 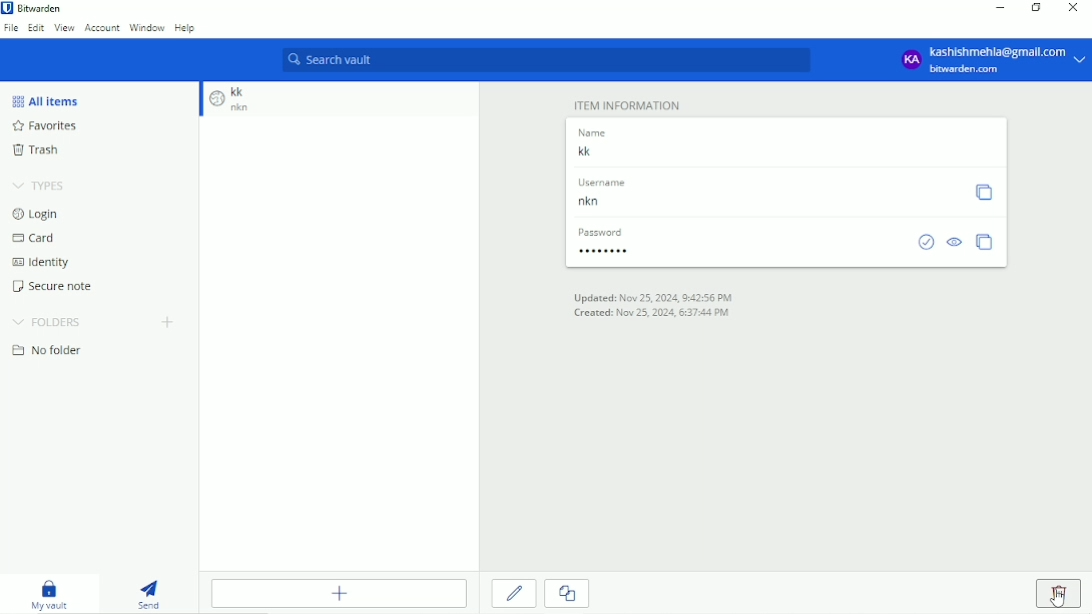 What do you see at coordinates (761, 203) in the screenshot?
I see `Username` at bounding box center [761, 203].